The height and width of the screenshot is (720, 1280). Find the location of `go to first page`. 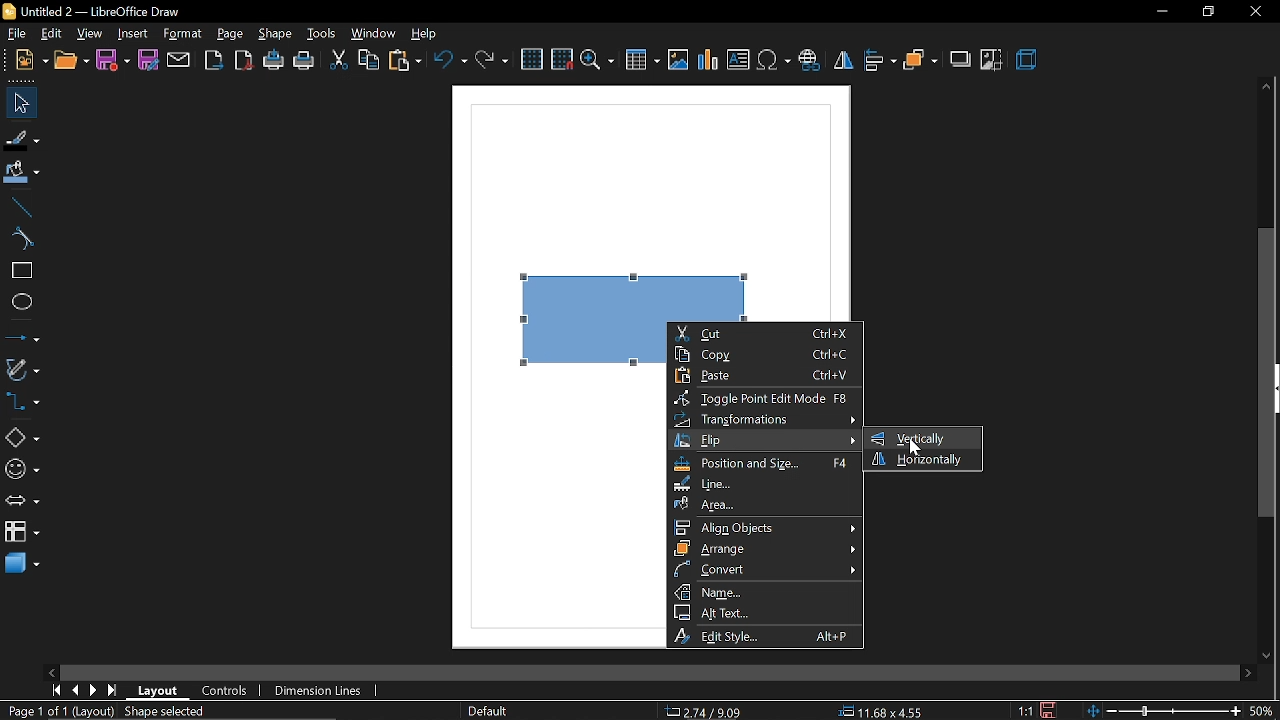

go to first page is located at coordinates (55, 691).